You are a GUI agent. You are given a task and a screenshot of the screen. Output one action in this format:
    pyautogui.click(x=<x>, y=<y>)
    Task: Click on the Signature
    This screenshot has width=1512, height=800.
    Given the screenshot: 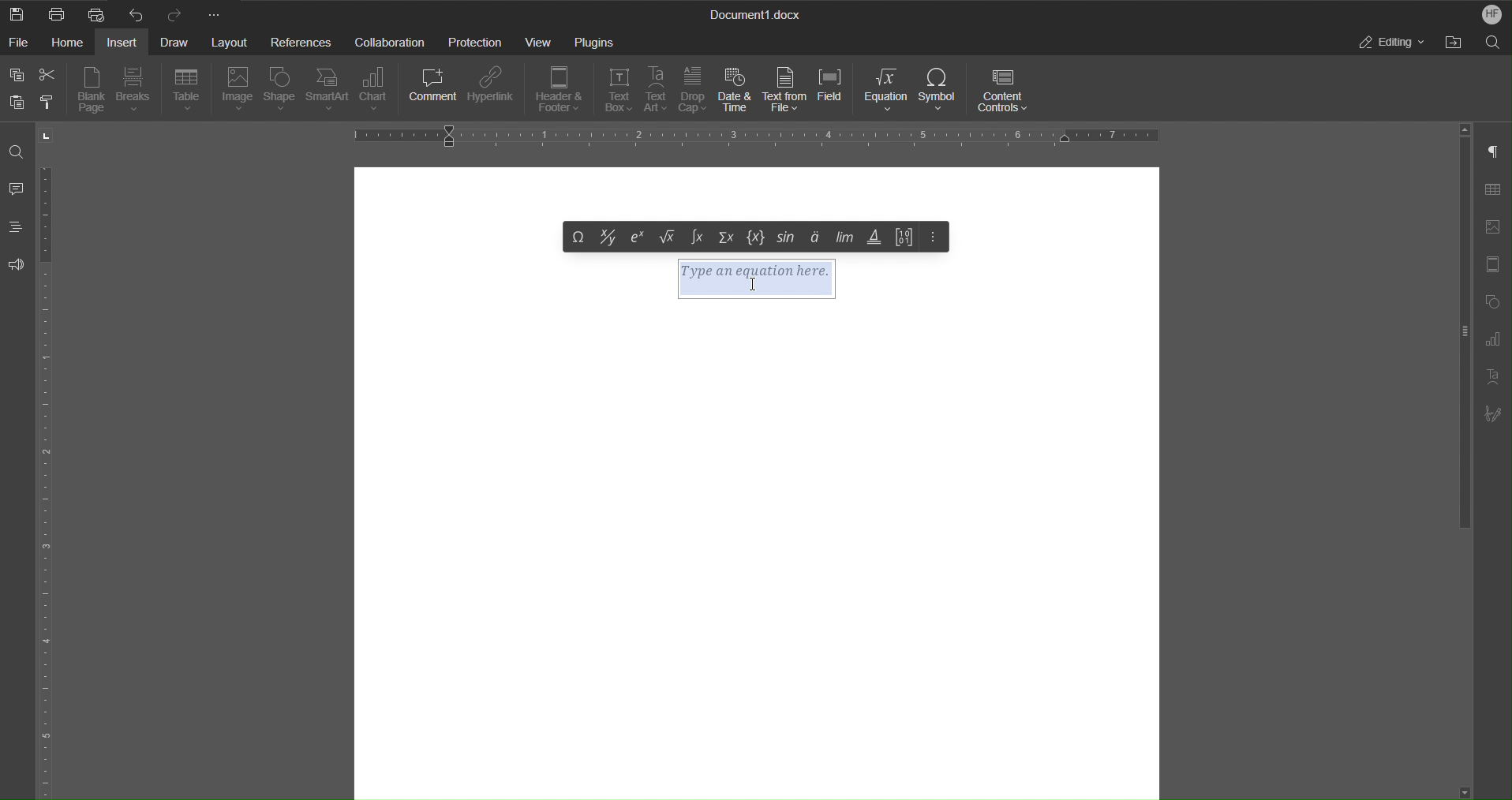 What is the action you would take?
    pyautogui.click(x=1490, y=413)
    